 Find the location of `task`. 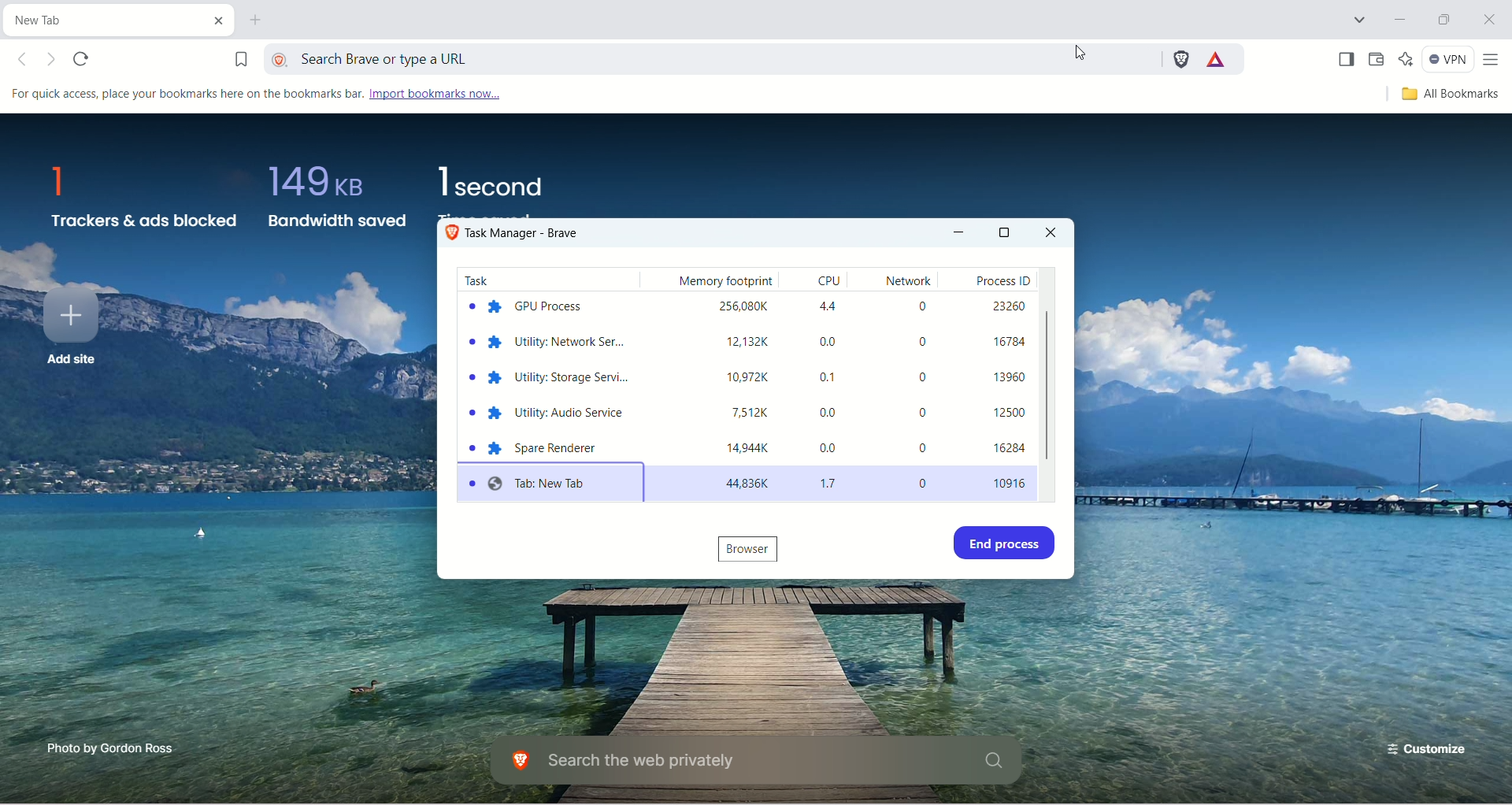

task is located at coordinates (480, 279).